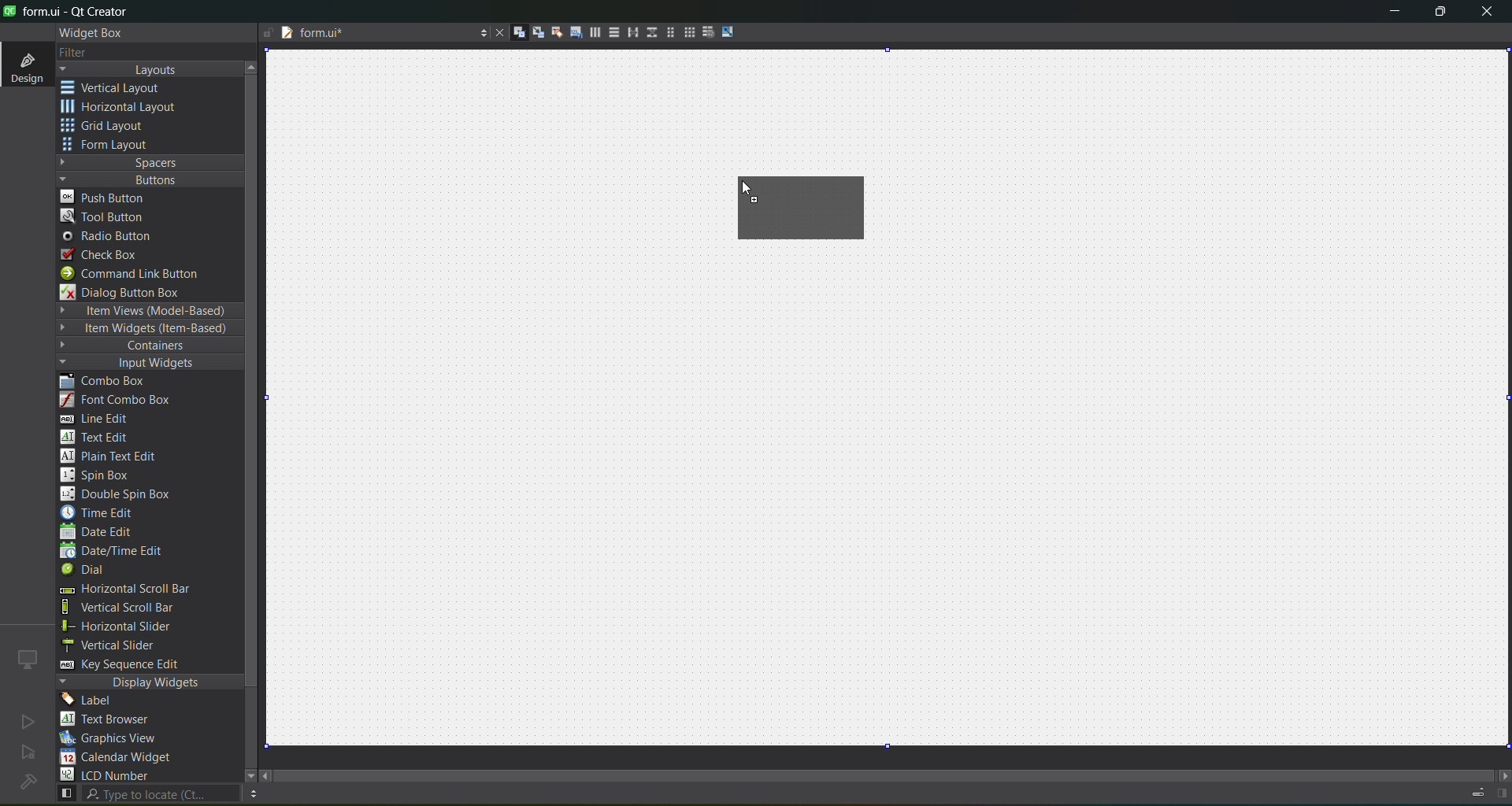  What do you see at coordinates (114, 382) in the screenshot?
I see `combo box` at bounding box center [114, 382].